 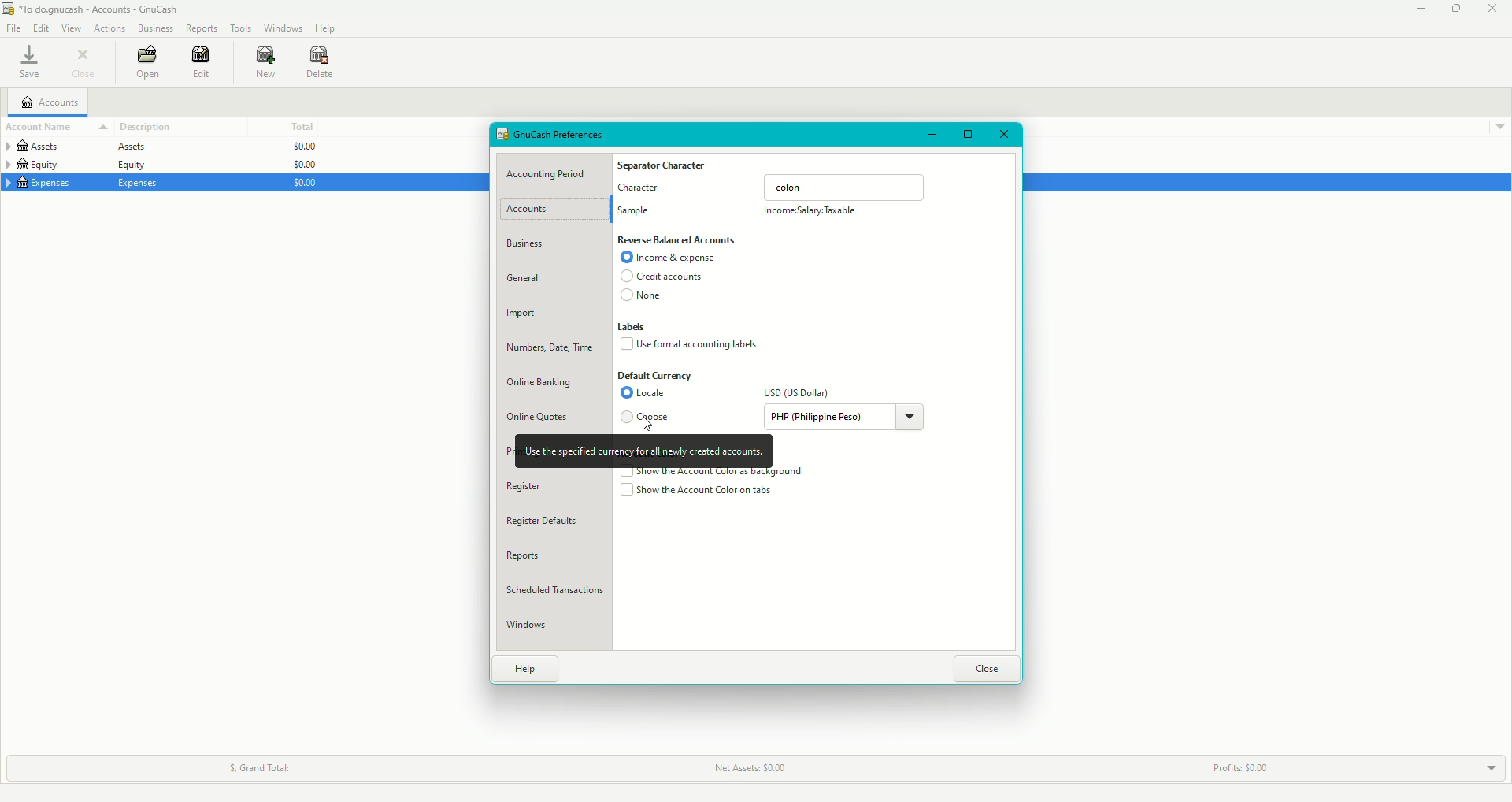 What do you see at coordinates (203, 28) in the screenshot?
I see `Reports` at bounding box center [203, 28].